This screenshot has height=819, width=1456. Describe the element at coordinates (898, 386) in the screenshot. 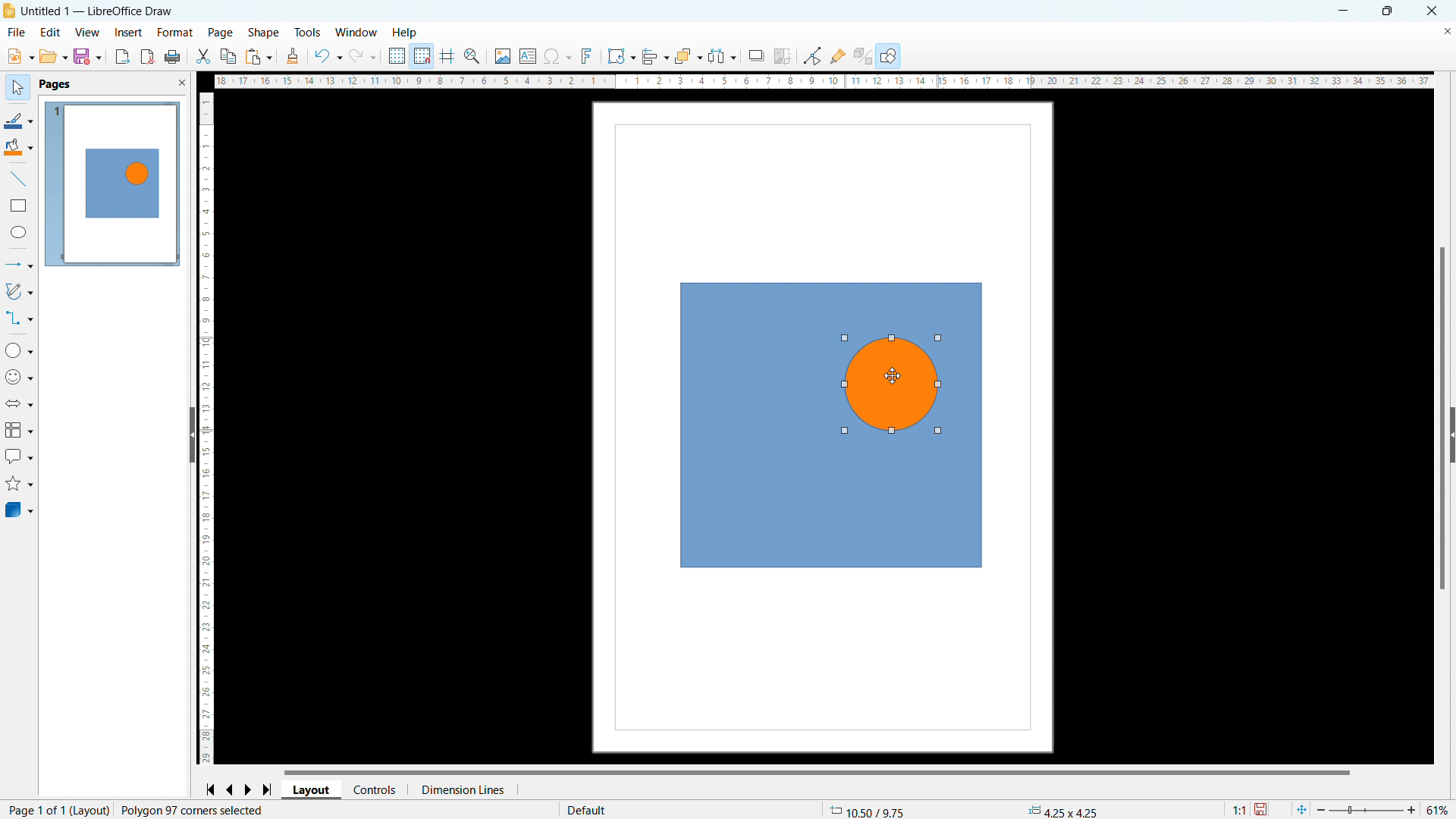

I see `object 2 selected` at that location.